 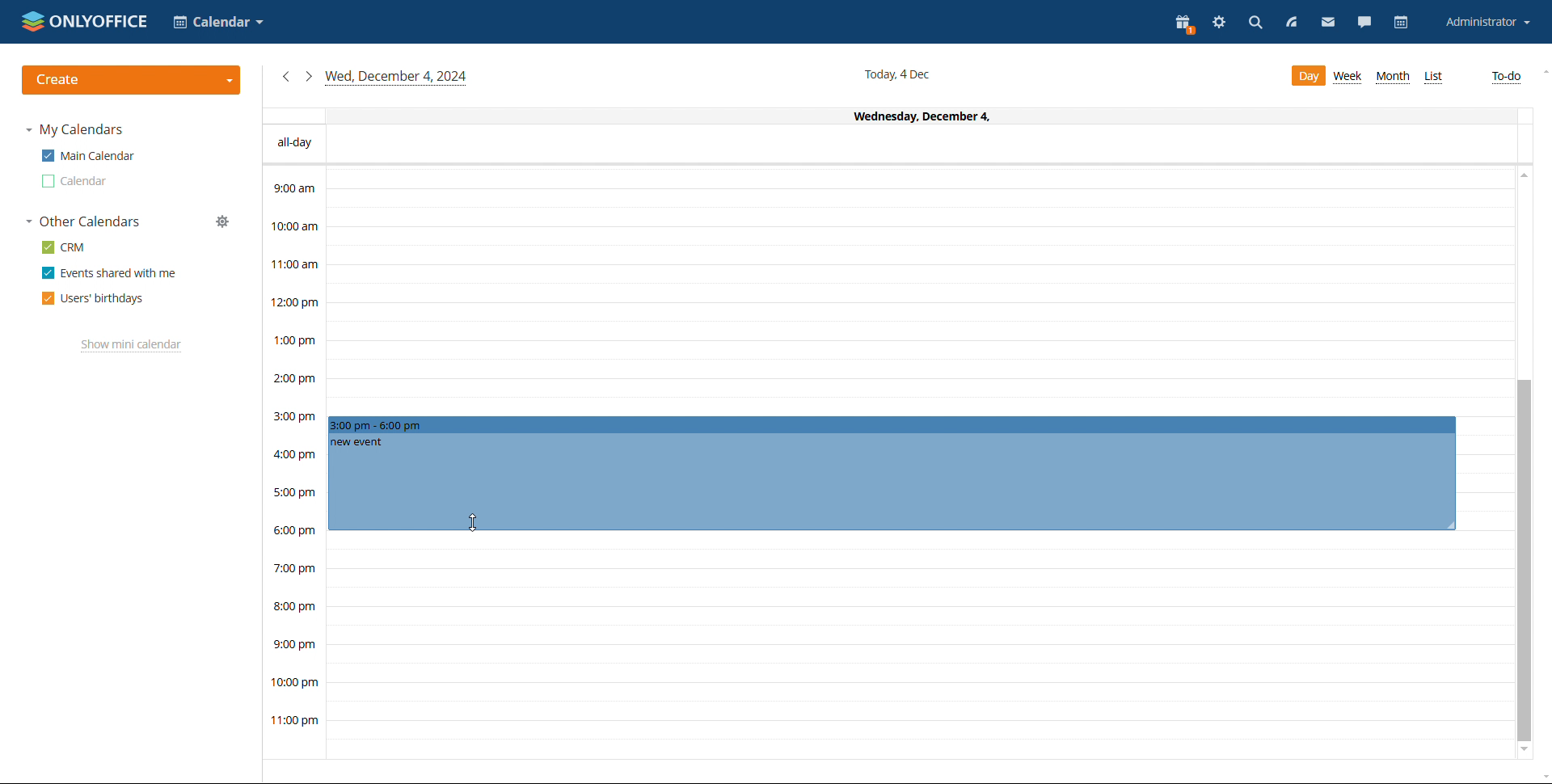 What do you see at coordinates (1219, 24) in the screenshot?
I see `settings` at bounding box center [1219, 24].